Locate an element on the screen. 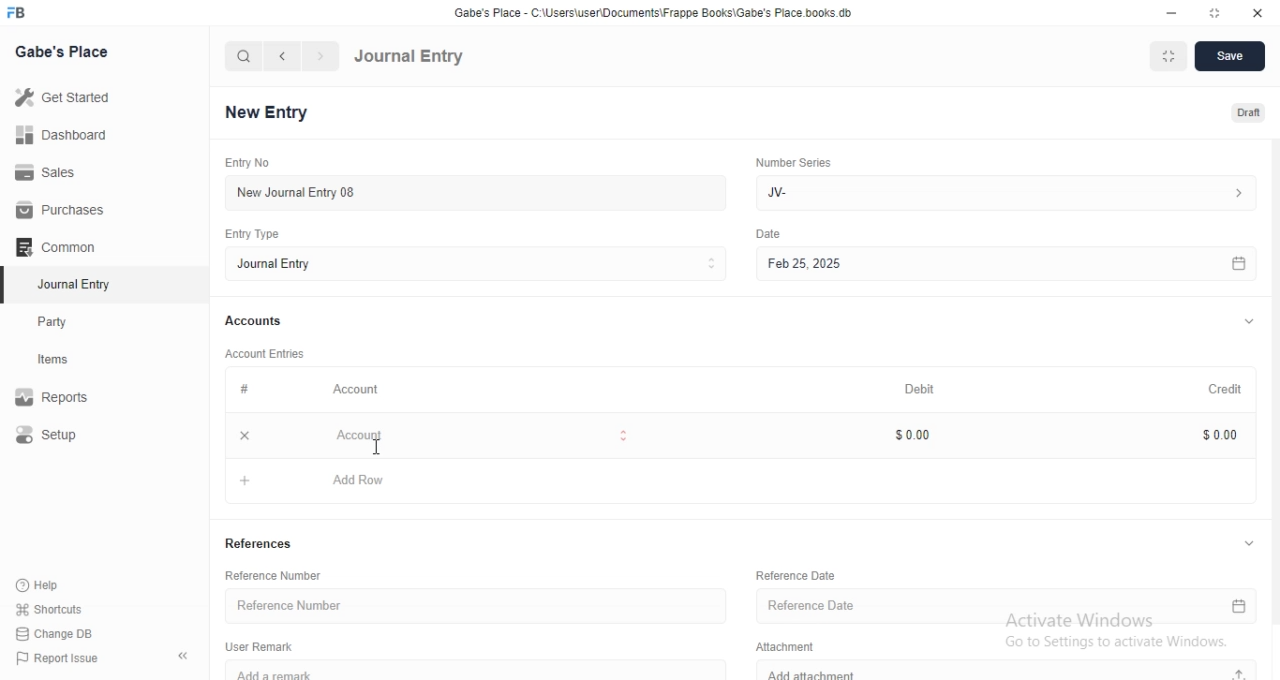  Party is located at coordinates (72, 322).